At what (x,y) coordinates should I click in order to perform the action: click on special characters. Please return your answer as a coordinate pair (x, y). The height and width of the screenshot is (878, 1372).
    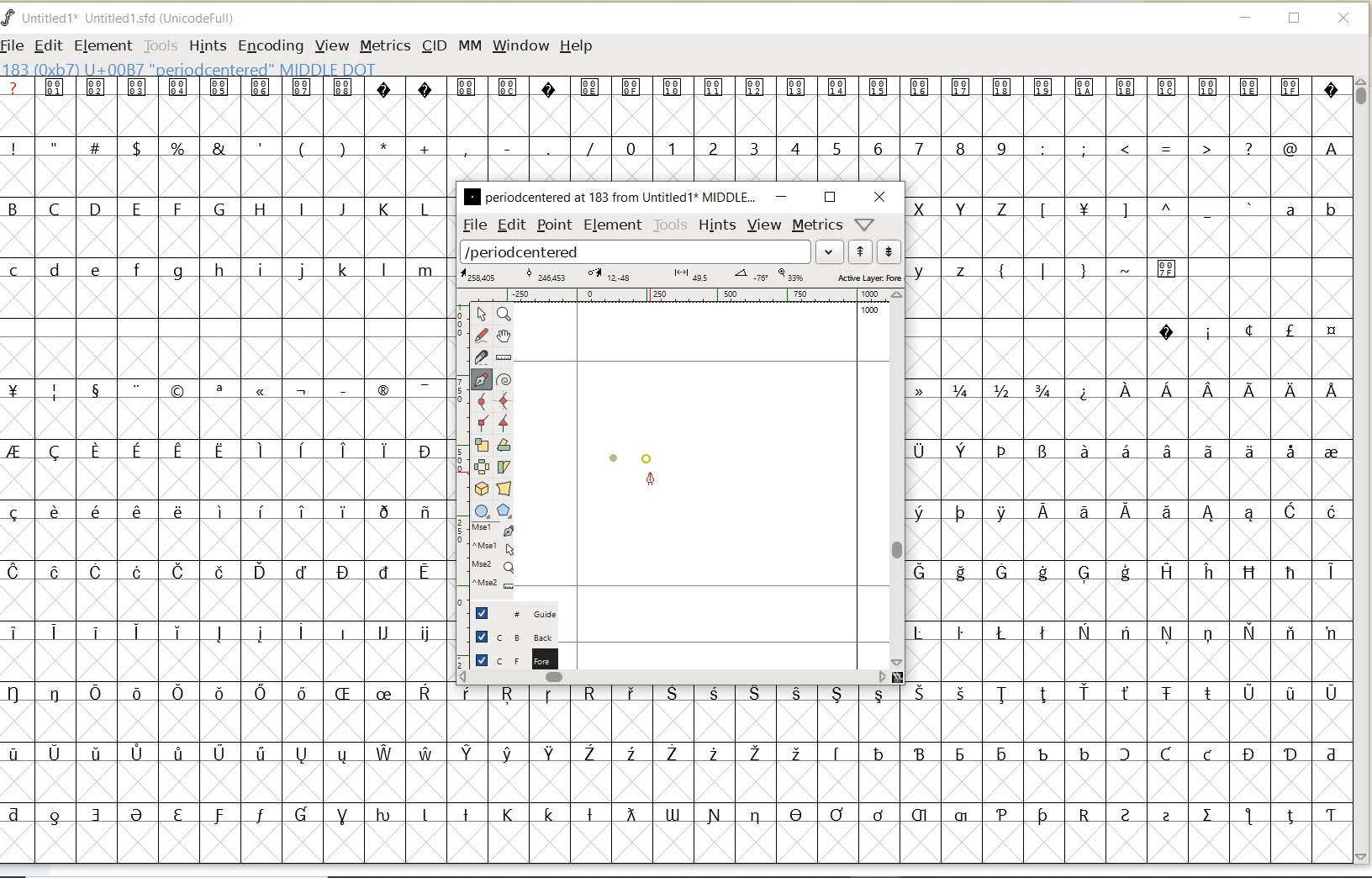
    Looking at the image, I should click on (300, 147).